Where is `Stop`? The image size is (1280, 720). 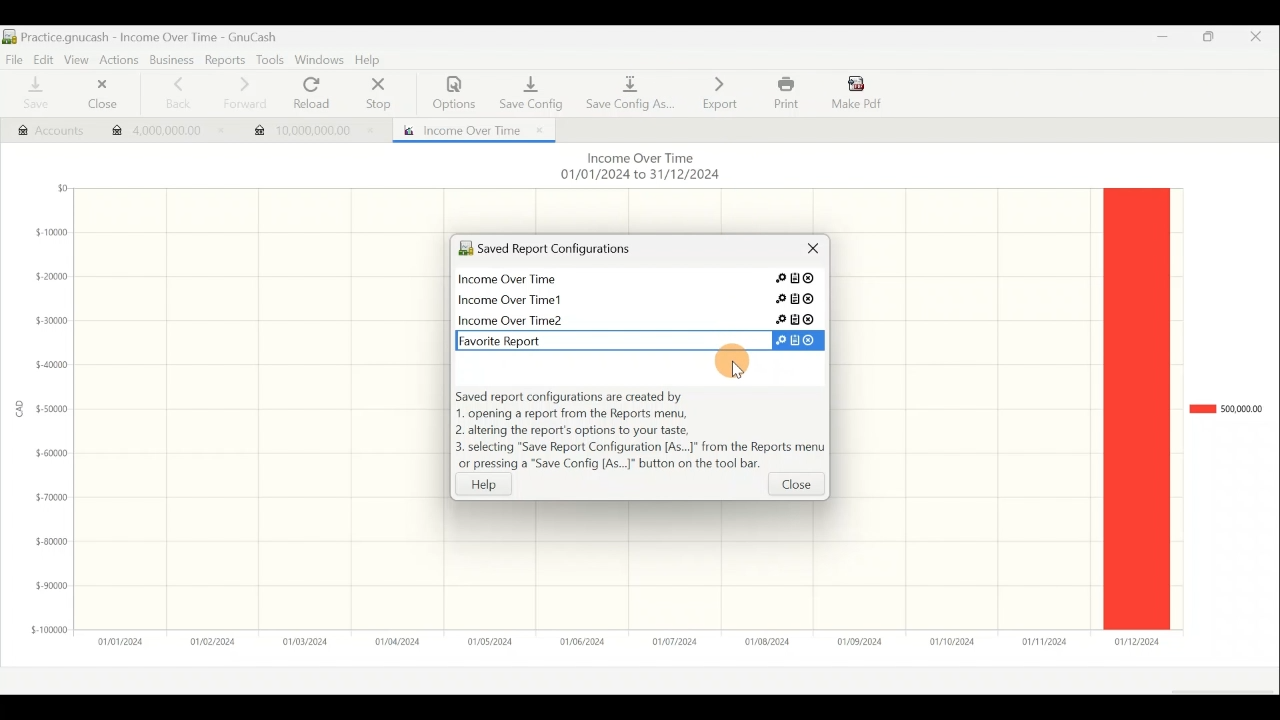
Stop is located at coordinates (376, 95).